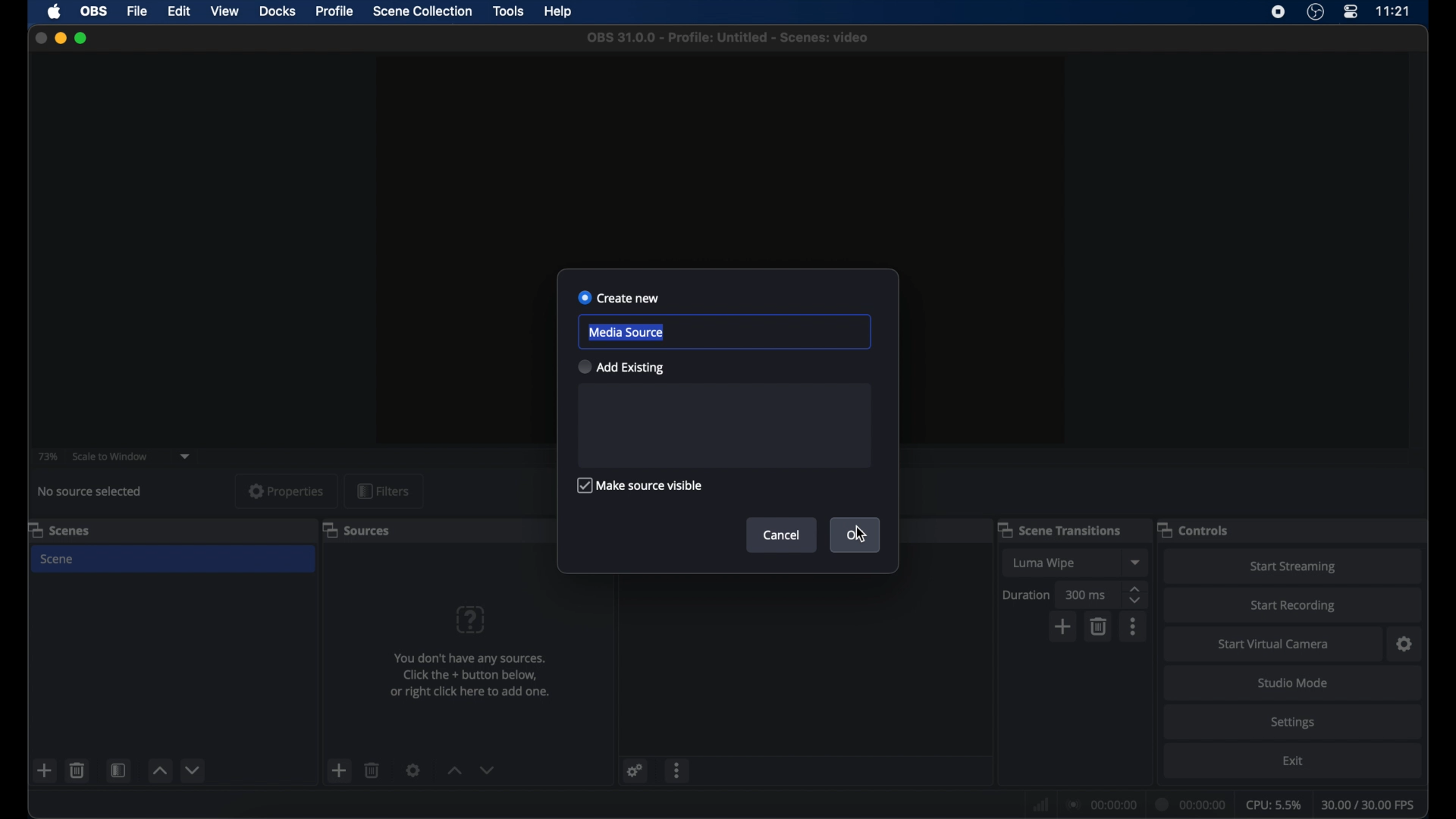 The image size is (1456, 819). What do you see at coordinates (1064, 626) in the screenshot?
I see `add` at bounding box center [1064, 626].